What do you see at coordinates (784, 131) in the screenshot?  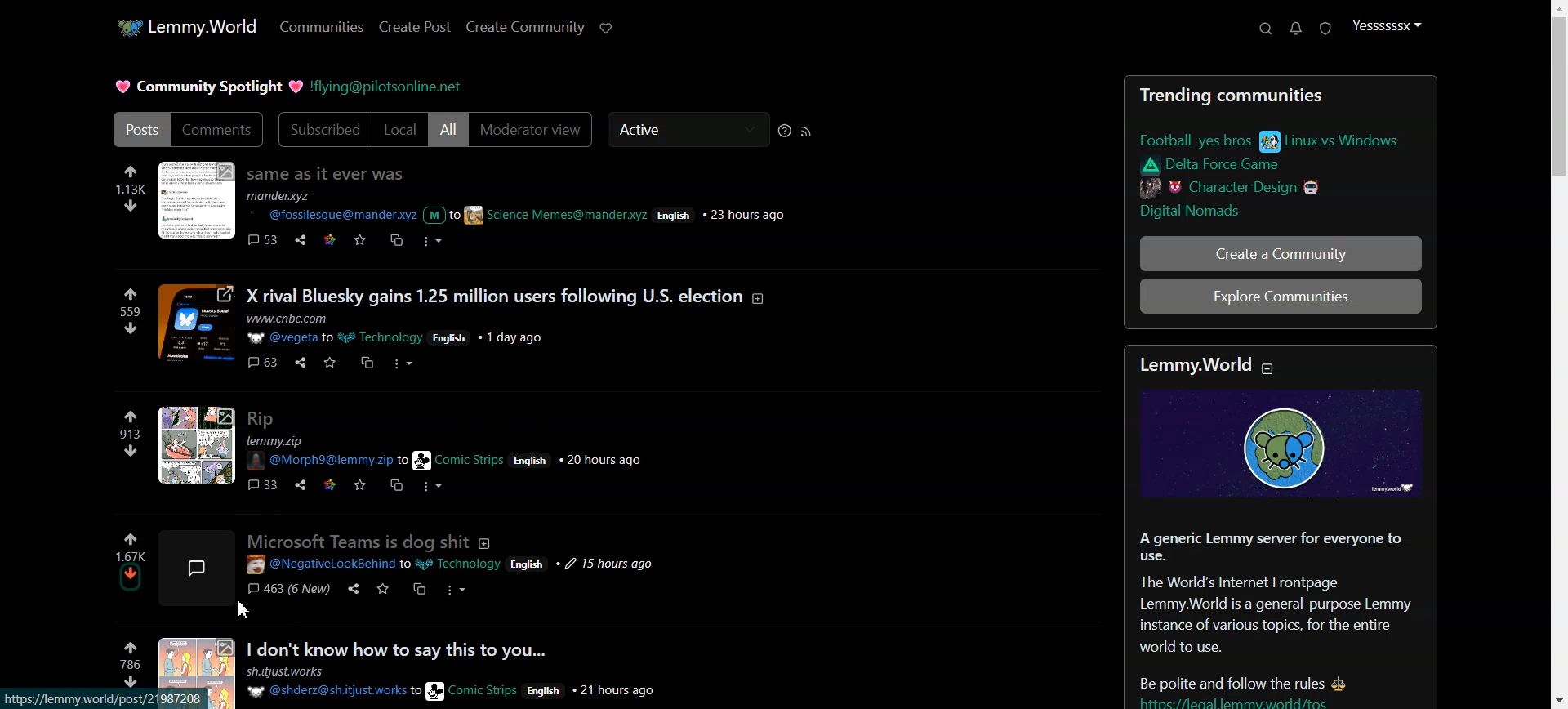 I see `Sorting Help` at bounding box center [784, 131].